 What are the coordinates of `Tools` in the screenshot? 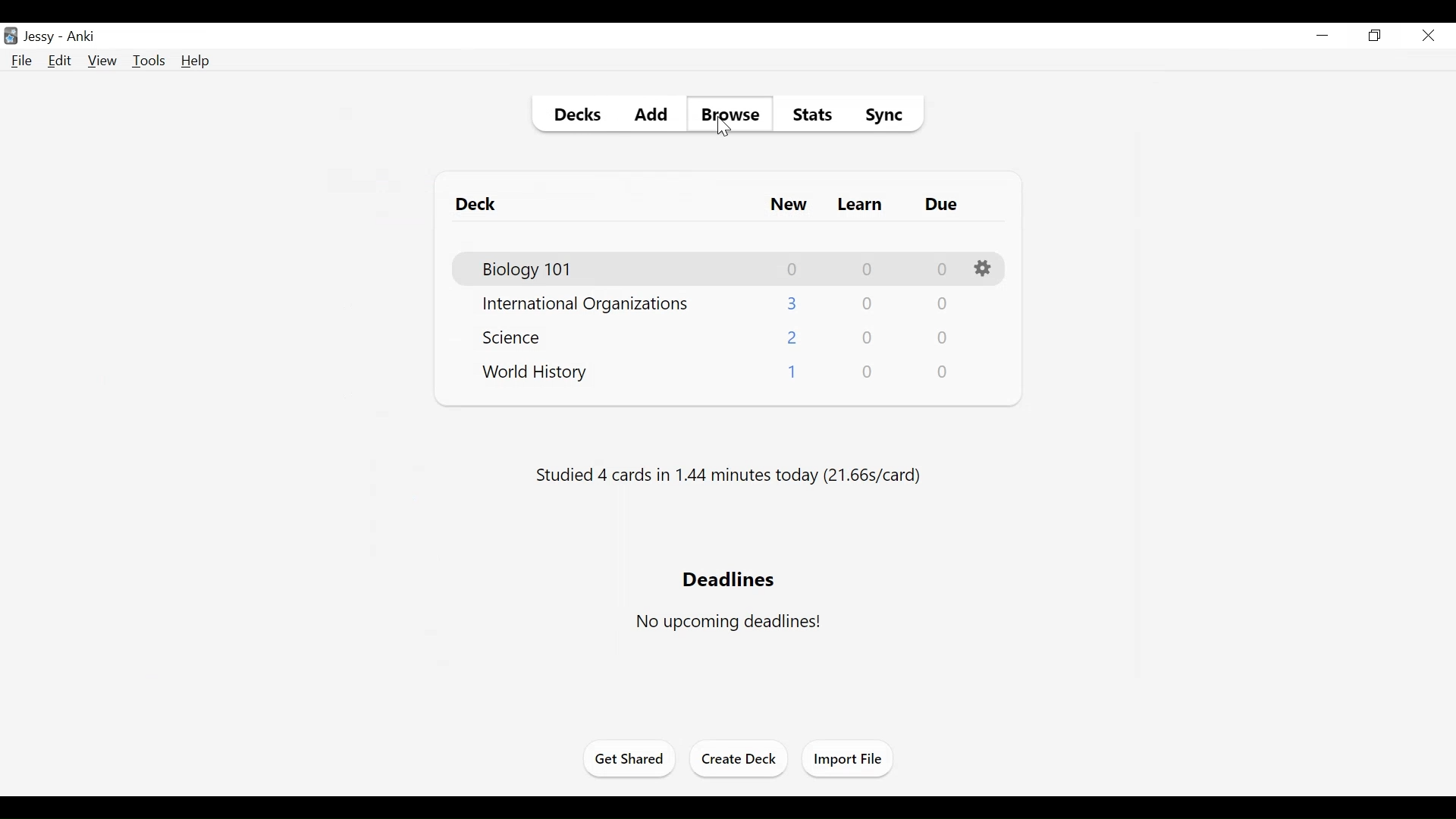 It's located at (149, 60).